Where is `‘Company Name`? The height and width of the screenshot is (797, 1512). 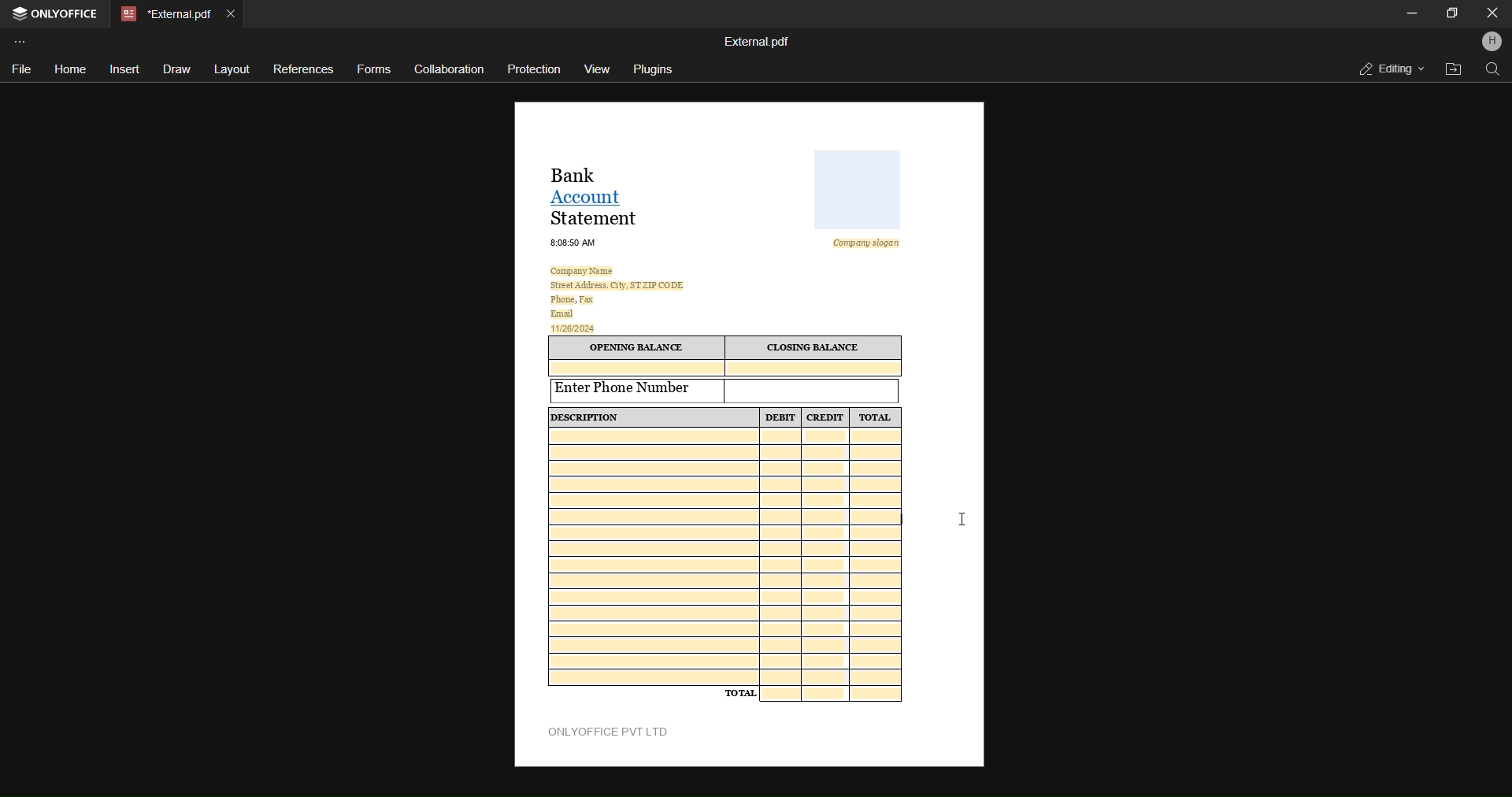 ‘Company Name is located at coordinates (585, 270).